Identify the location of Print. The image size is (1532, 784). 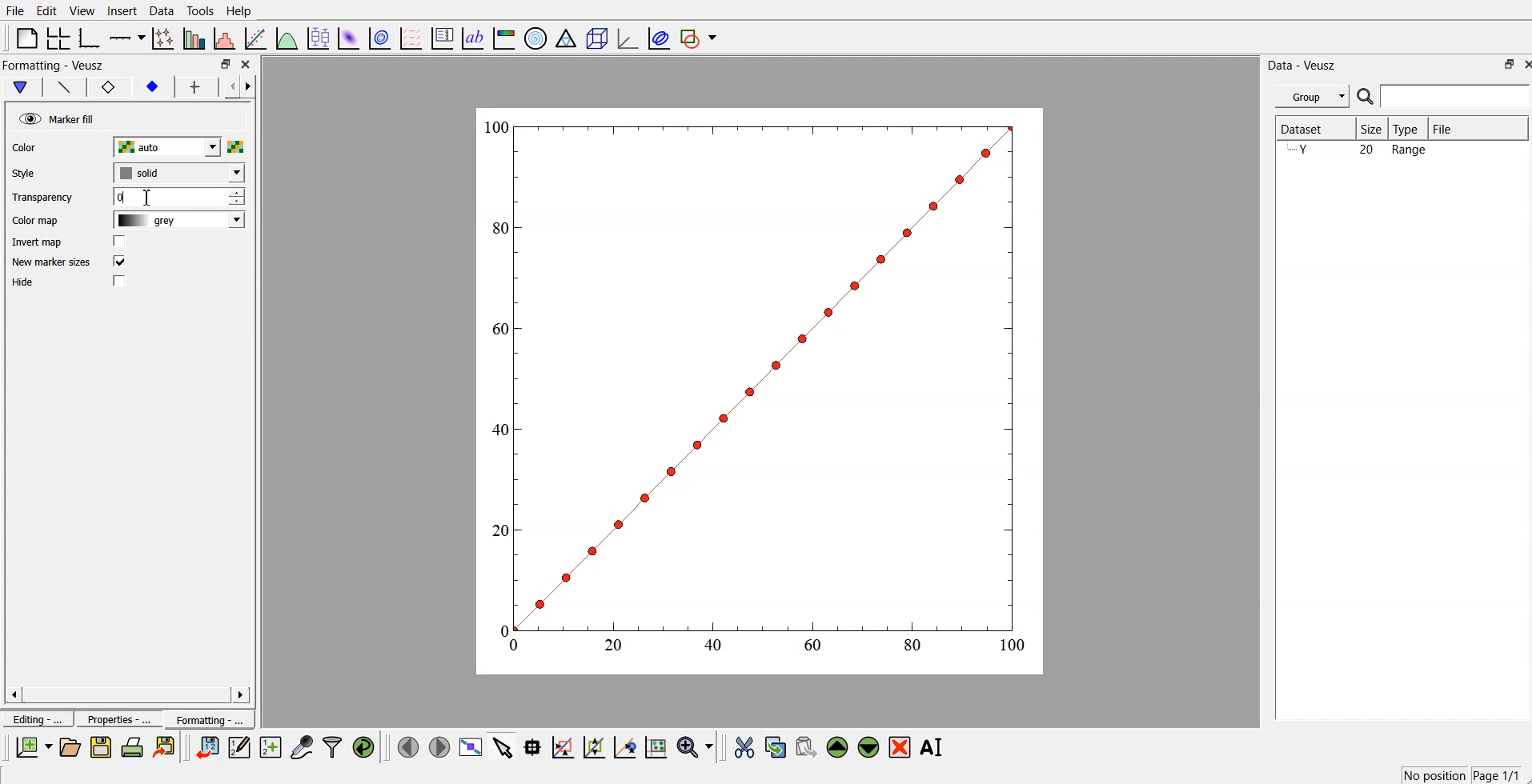
(133, 747).